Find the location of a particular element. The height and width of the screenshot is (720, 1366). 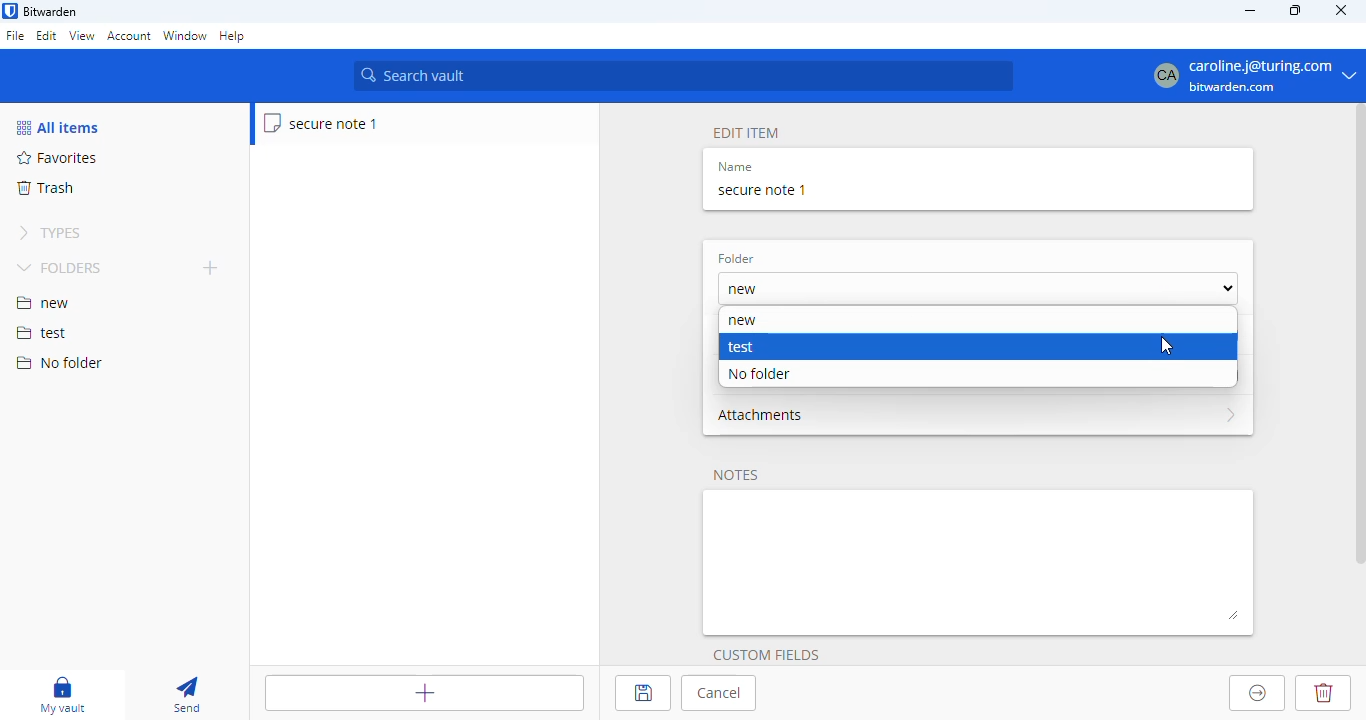

profile is located at coordinates (1247, 75).